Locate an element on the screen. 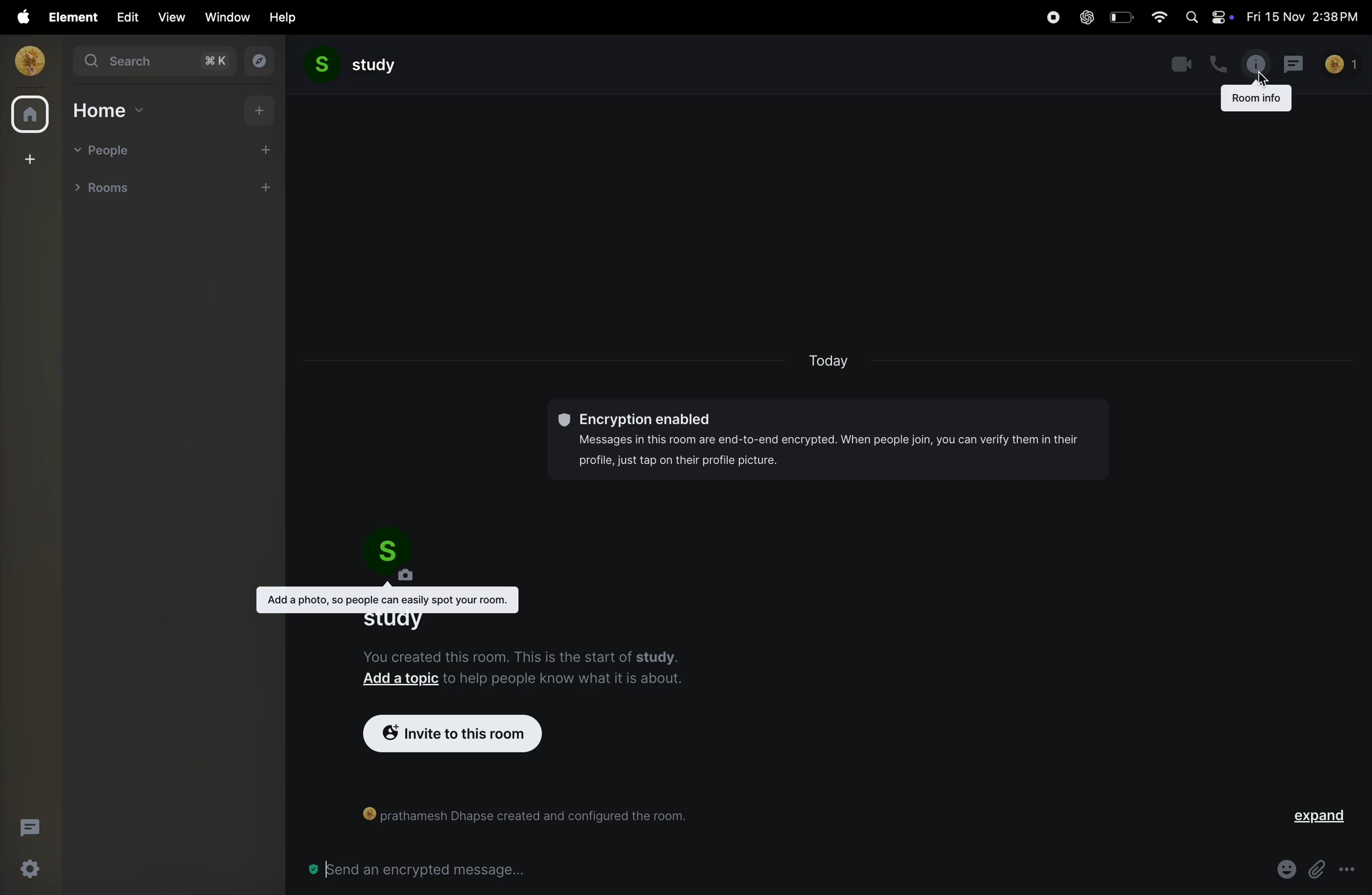 The height and width of the screenshot is (895, 1372). people is located at coordinates (107, 152).